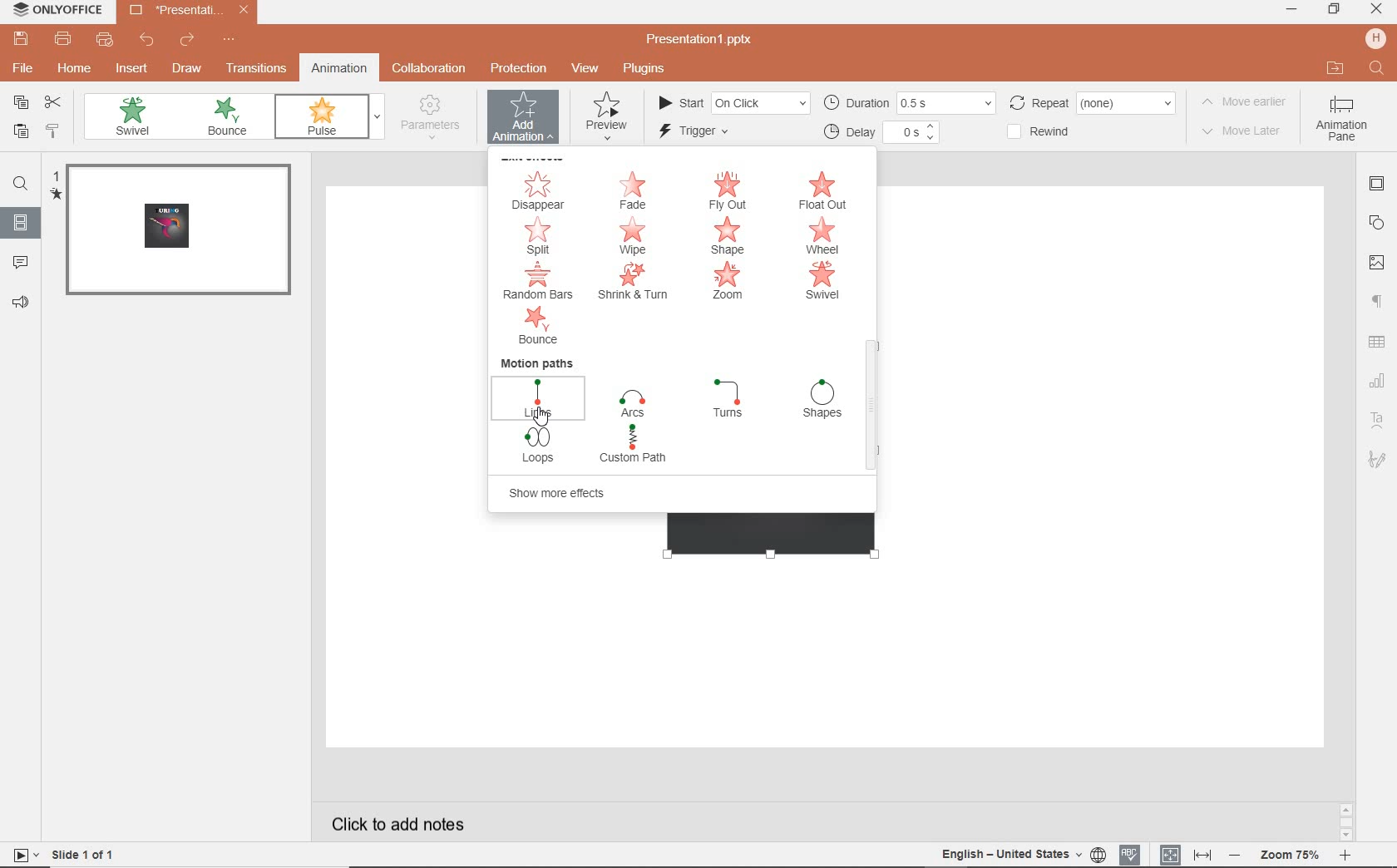 The height and width of the screenshot is (868, 1397). What do you see at coordinates (25, 71) in the screenshot?
I see `file` at bounding box center [25, 71].